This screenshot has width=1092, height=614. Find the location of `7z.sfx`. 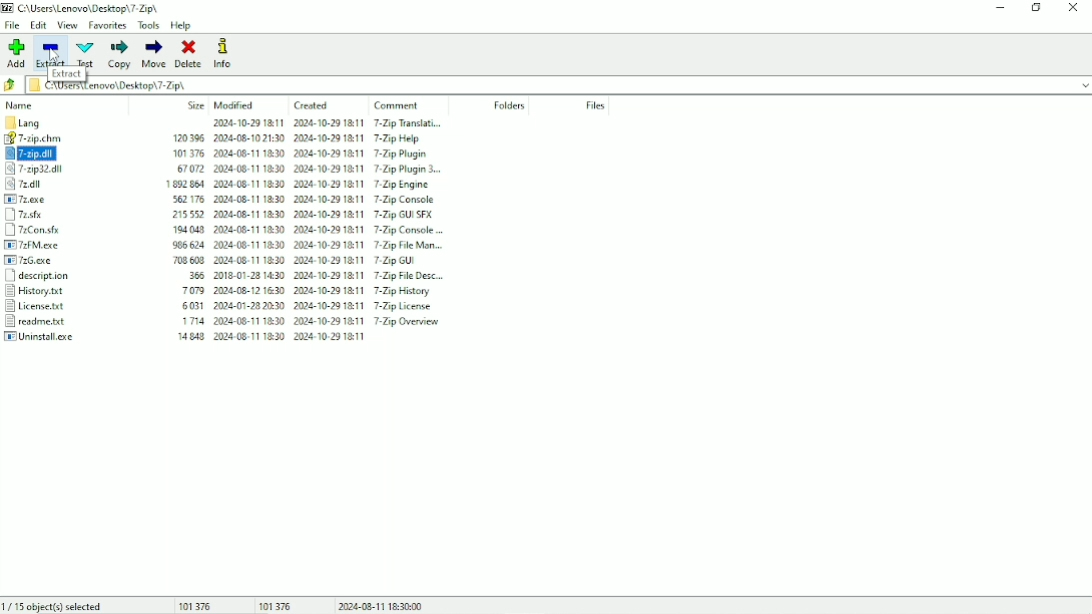

7z.sfx is located at coordinates (63, 214).